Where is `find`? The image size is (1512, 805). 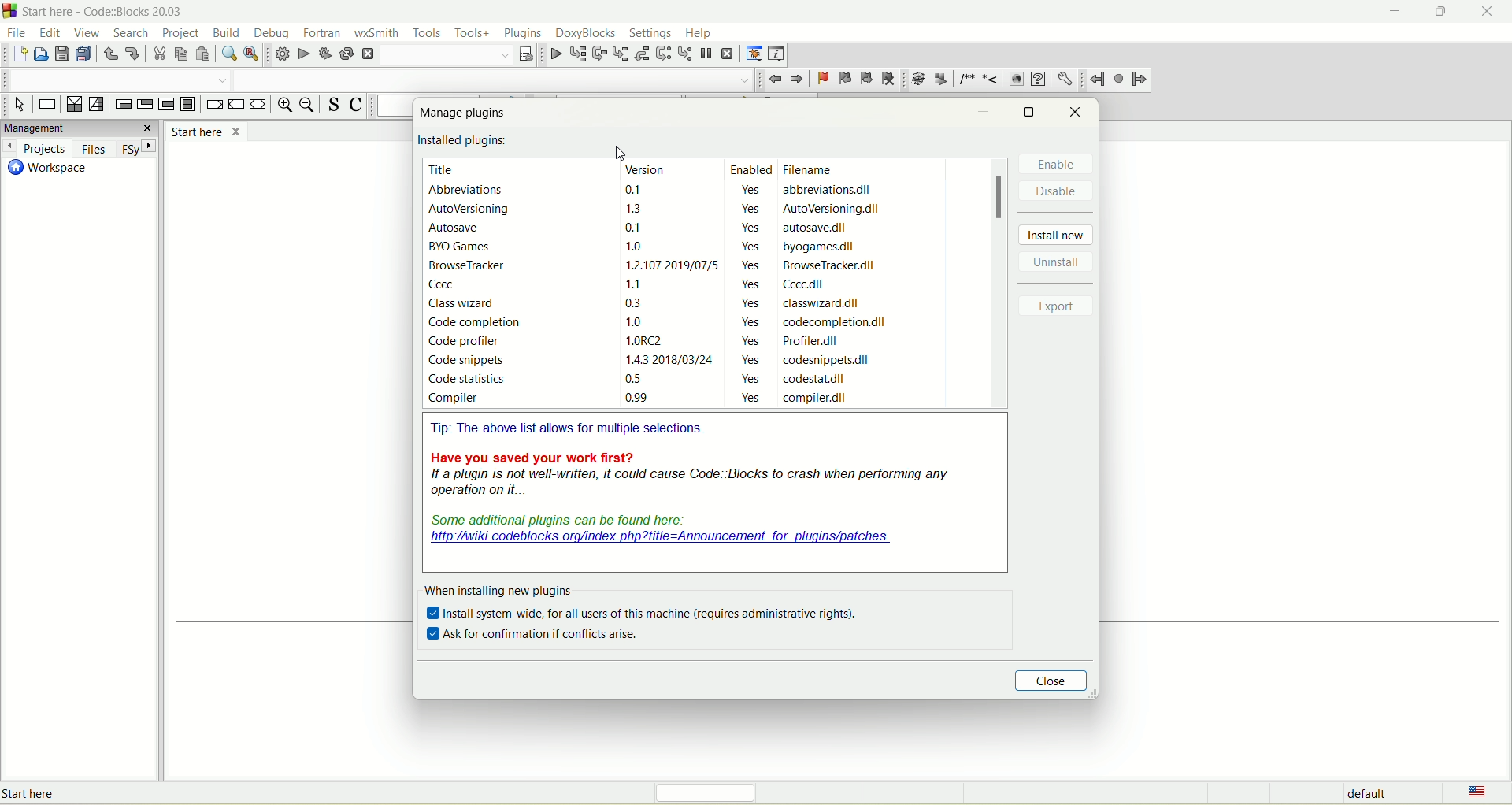
find is located at coordinates (228, 54).